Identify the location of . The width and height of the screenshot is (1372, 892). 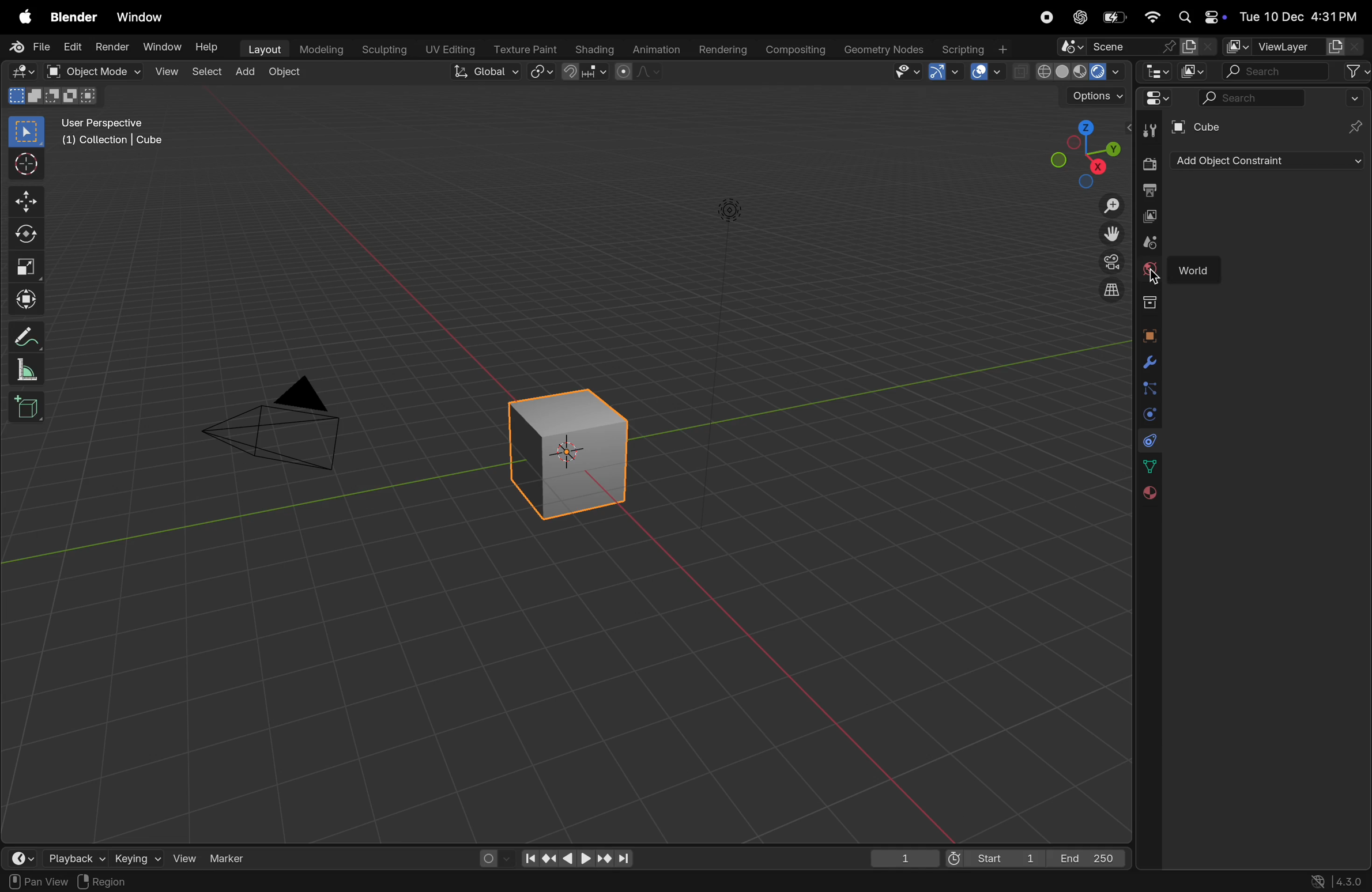
(1284, 98).